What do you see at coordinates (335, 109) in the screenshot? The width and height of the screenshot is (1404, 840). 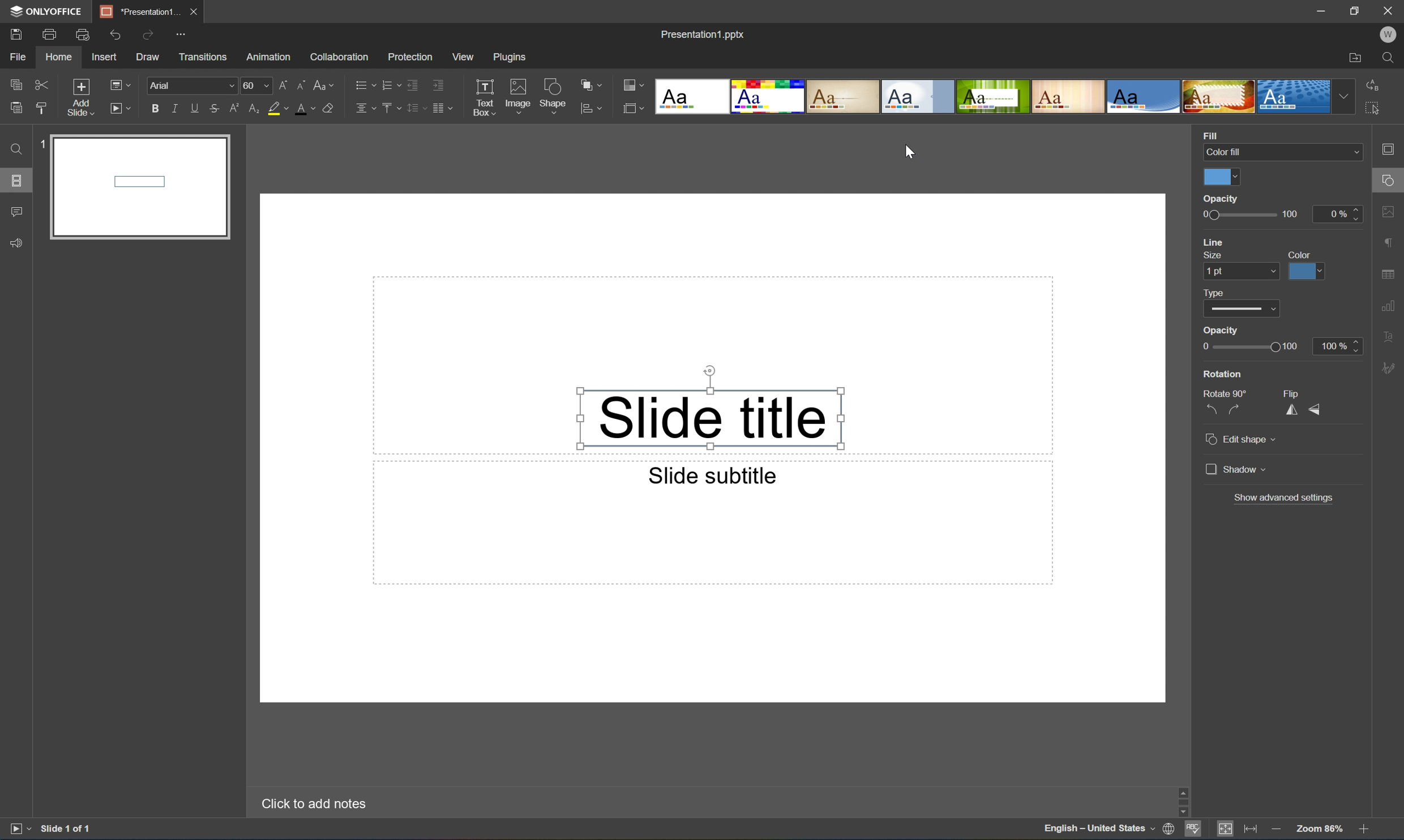 I see `Clear style` at bounding box center [335, 109].